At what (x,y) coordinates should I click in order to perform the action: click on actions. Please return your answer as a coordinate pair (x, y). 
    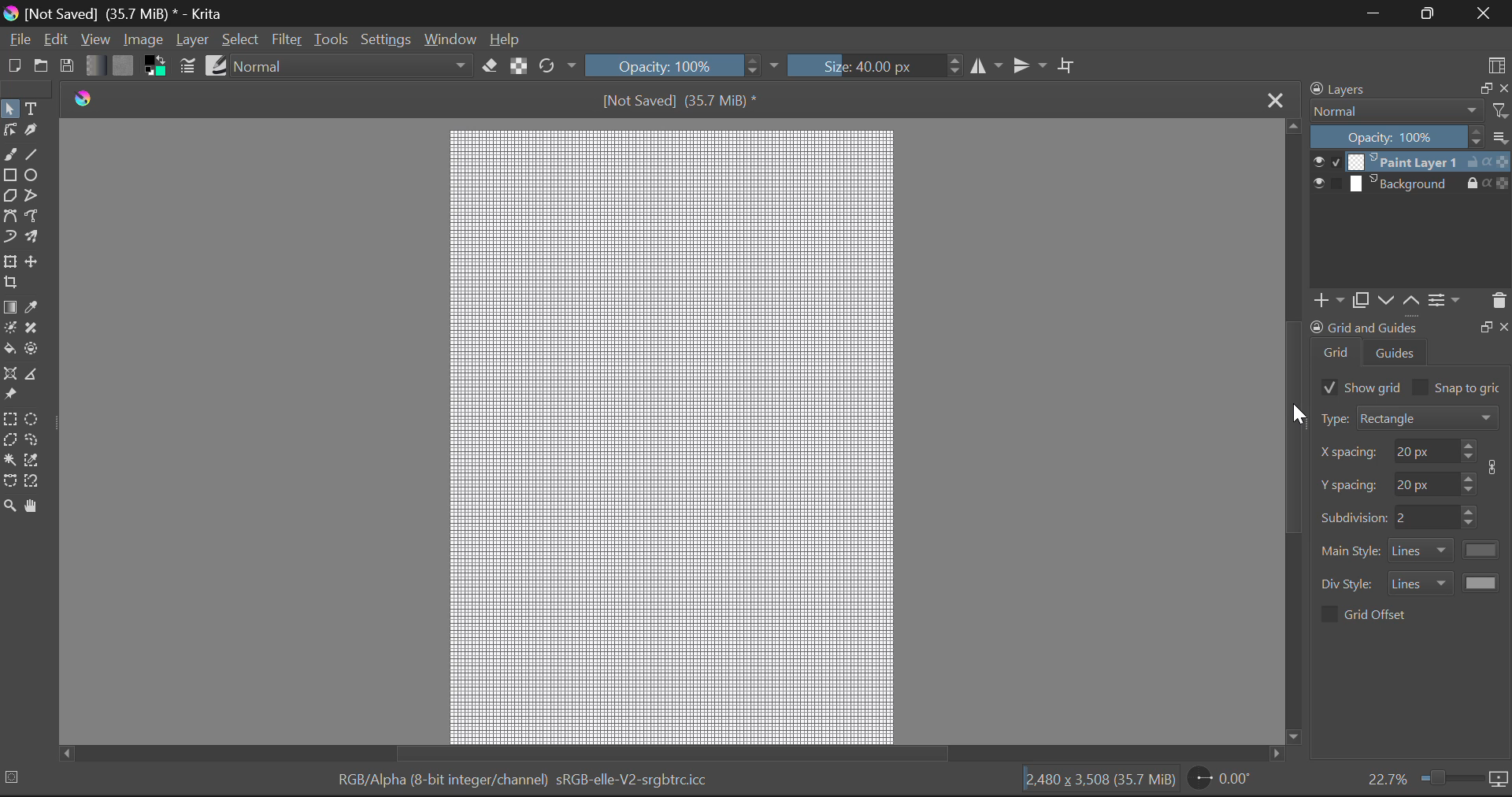
    Looking at the image, I should click on (1488, 161).